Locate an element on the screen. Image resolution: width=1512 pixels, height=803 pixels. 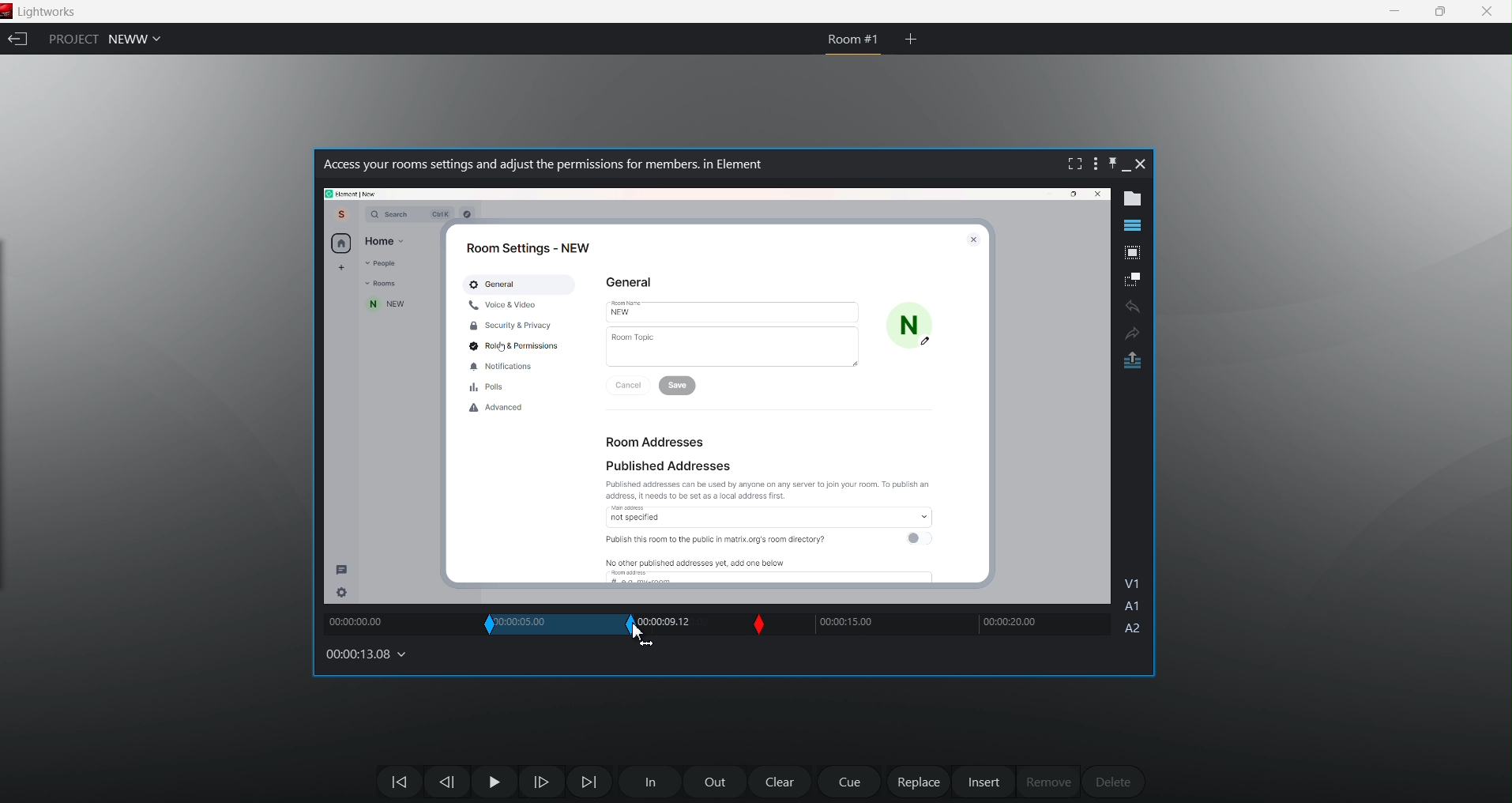
ctrl k is located at coordinates (441, 214).